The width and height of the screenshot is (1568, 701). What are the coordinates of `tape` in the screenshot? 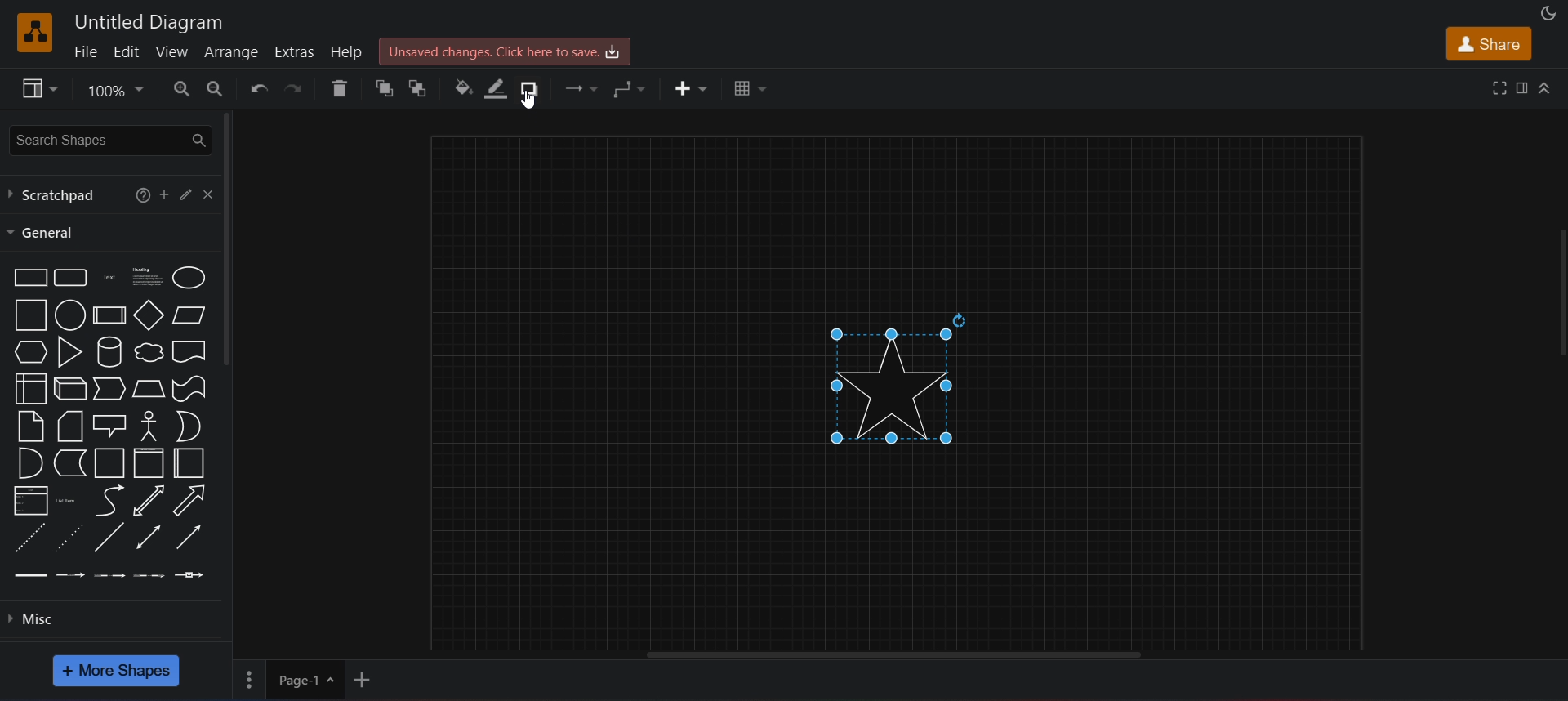 It's located at (189, 389).